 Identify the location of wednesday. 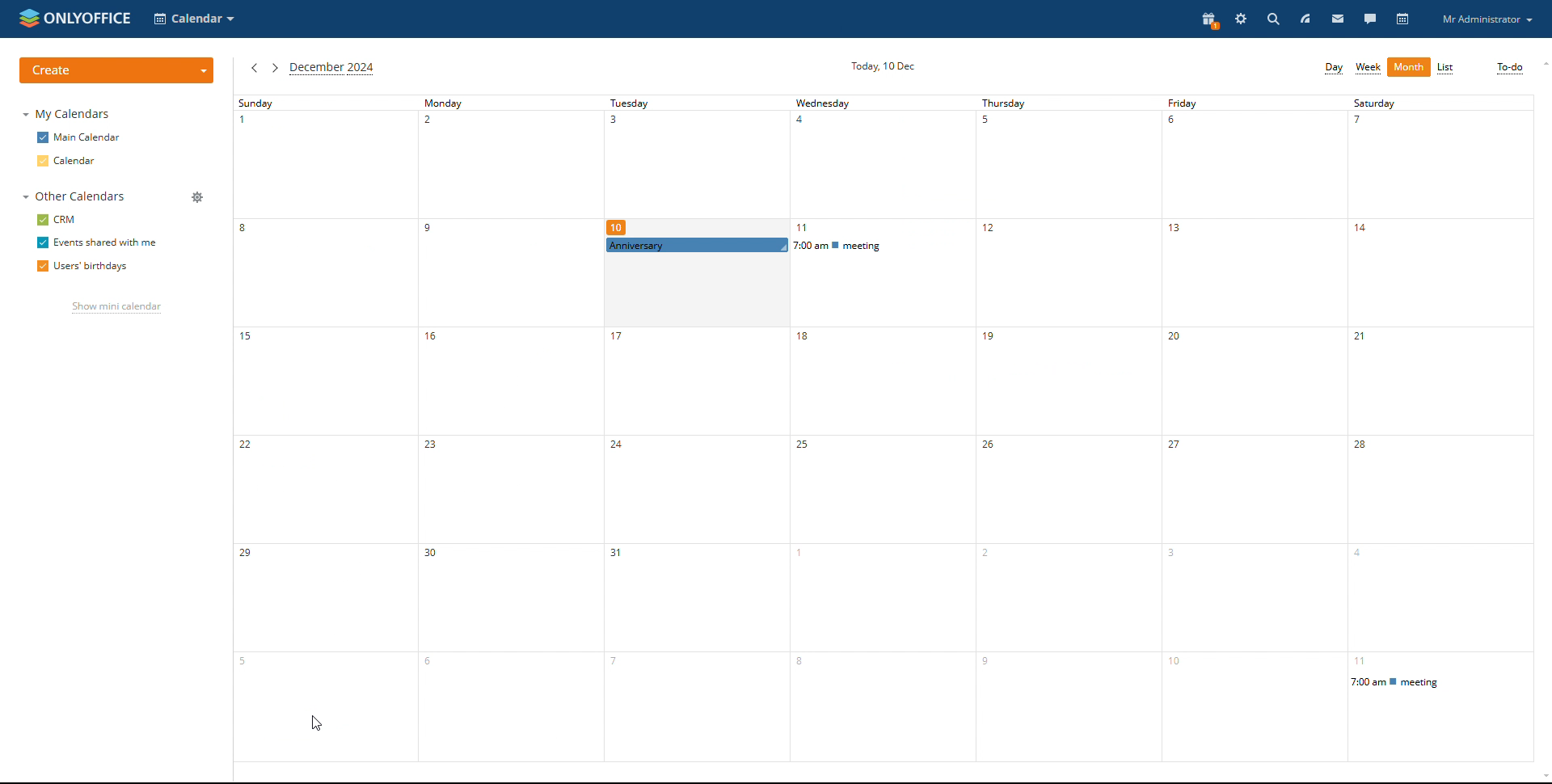
(882, 429).